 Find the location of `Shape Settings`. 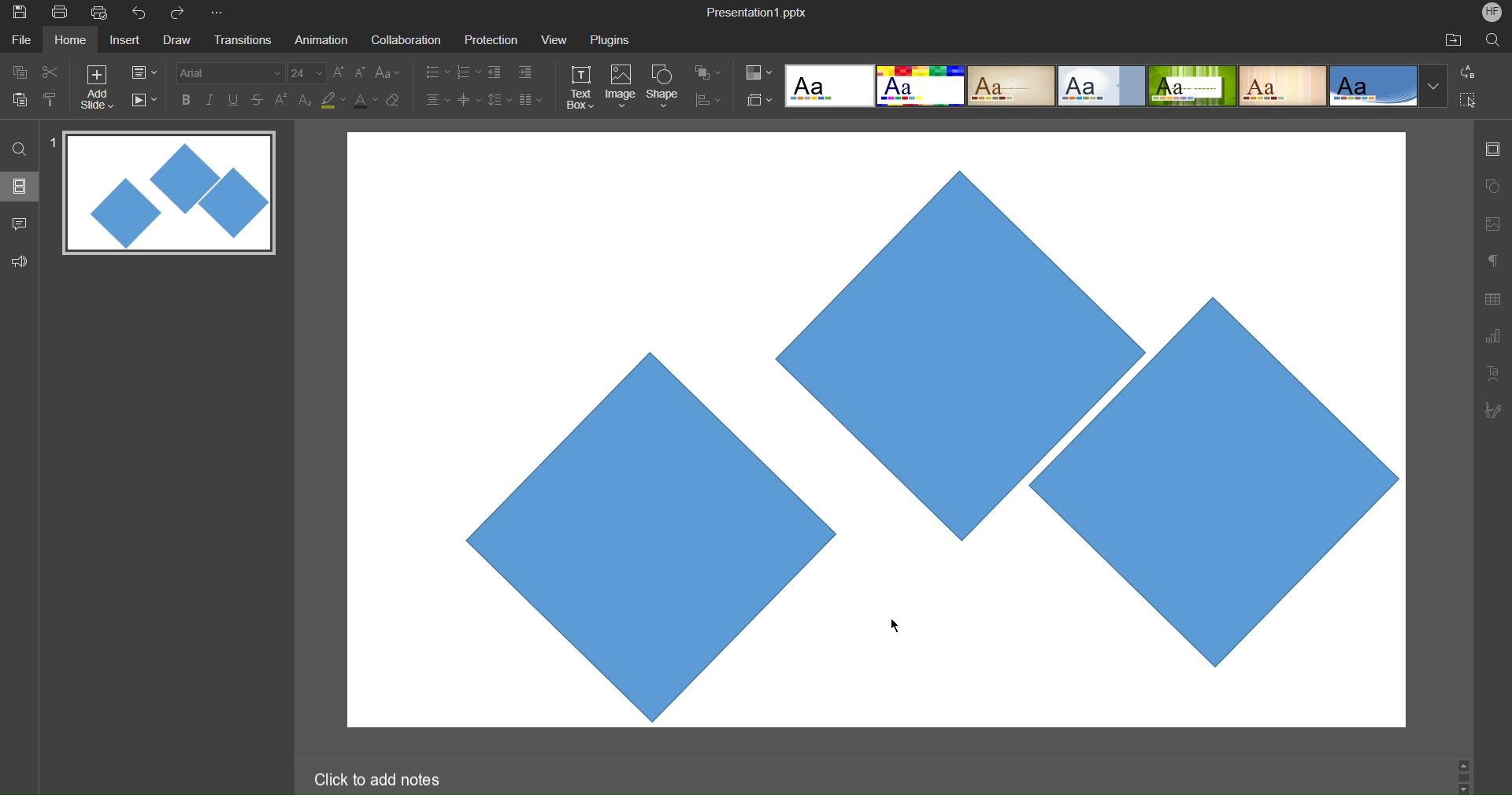

Shape Settings is located at coordinates (1492, 187).